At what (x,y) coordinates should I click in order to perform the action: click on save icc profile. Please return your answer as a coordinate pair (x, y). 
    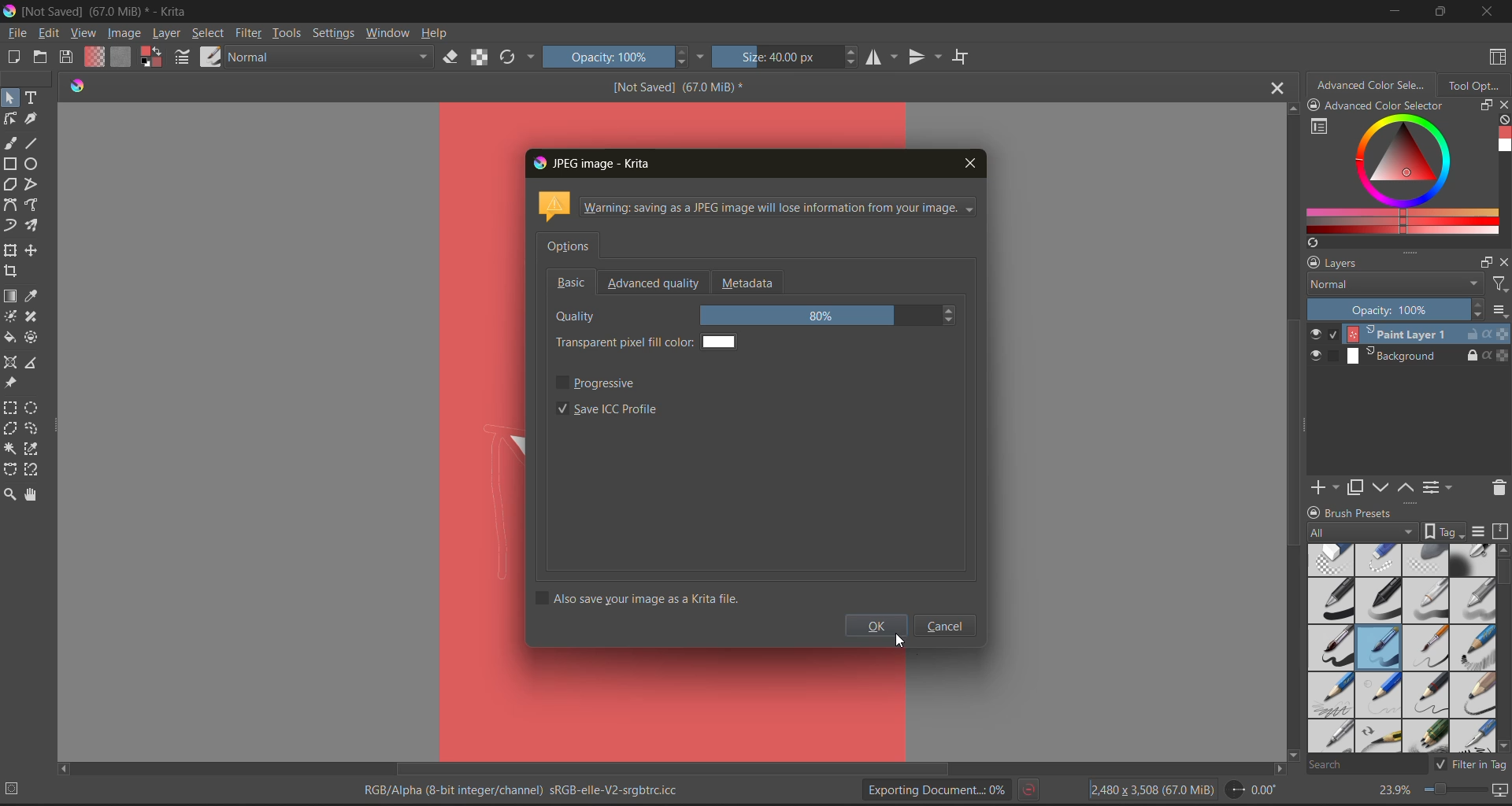
    Looking at the image, I should click on (613, 409).